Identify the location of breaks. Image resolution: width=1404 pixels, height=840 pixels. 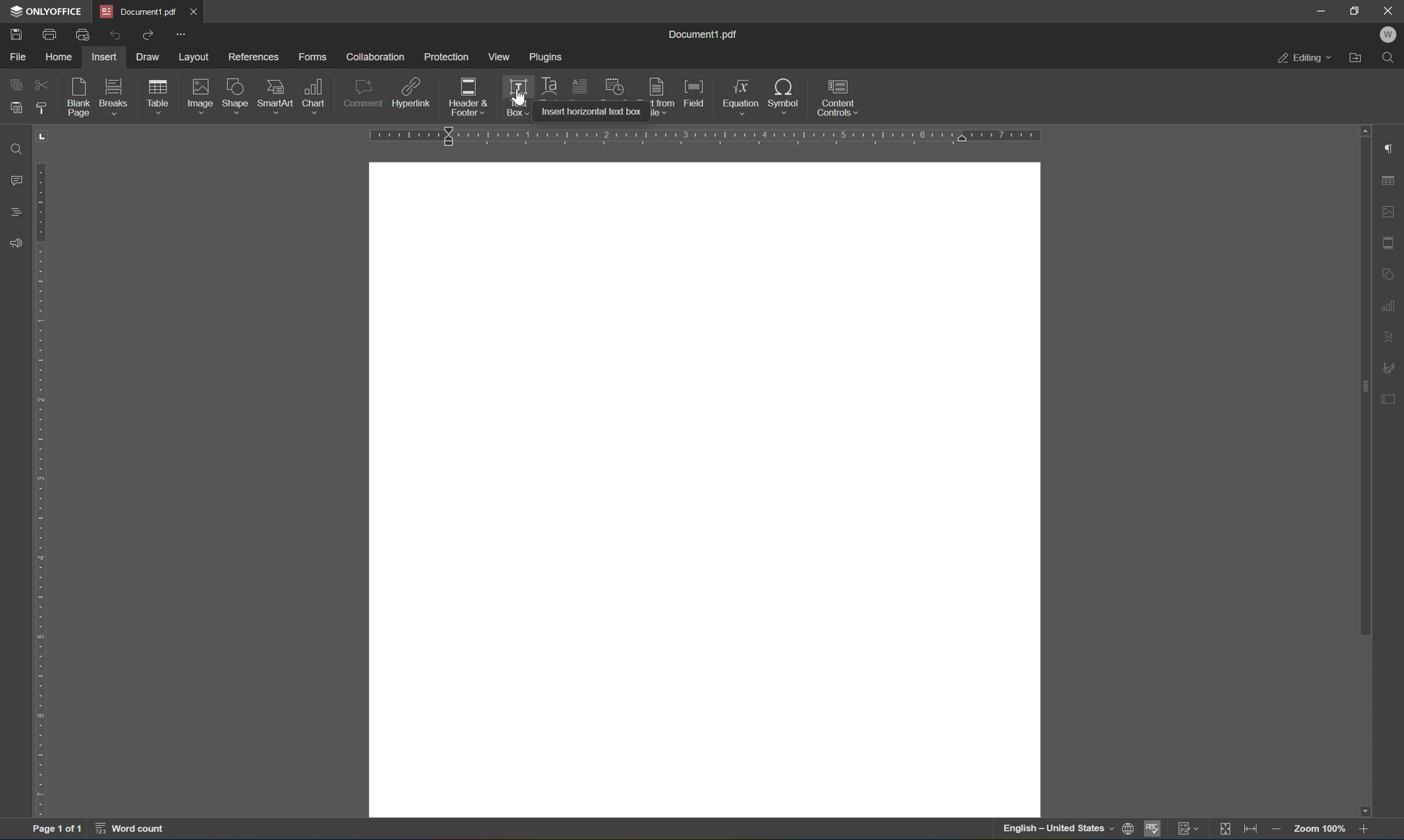
(117, 96).